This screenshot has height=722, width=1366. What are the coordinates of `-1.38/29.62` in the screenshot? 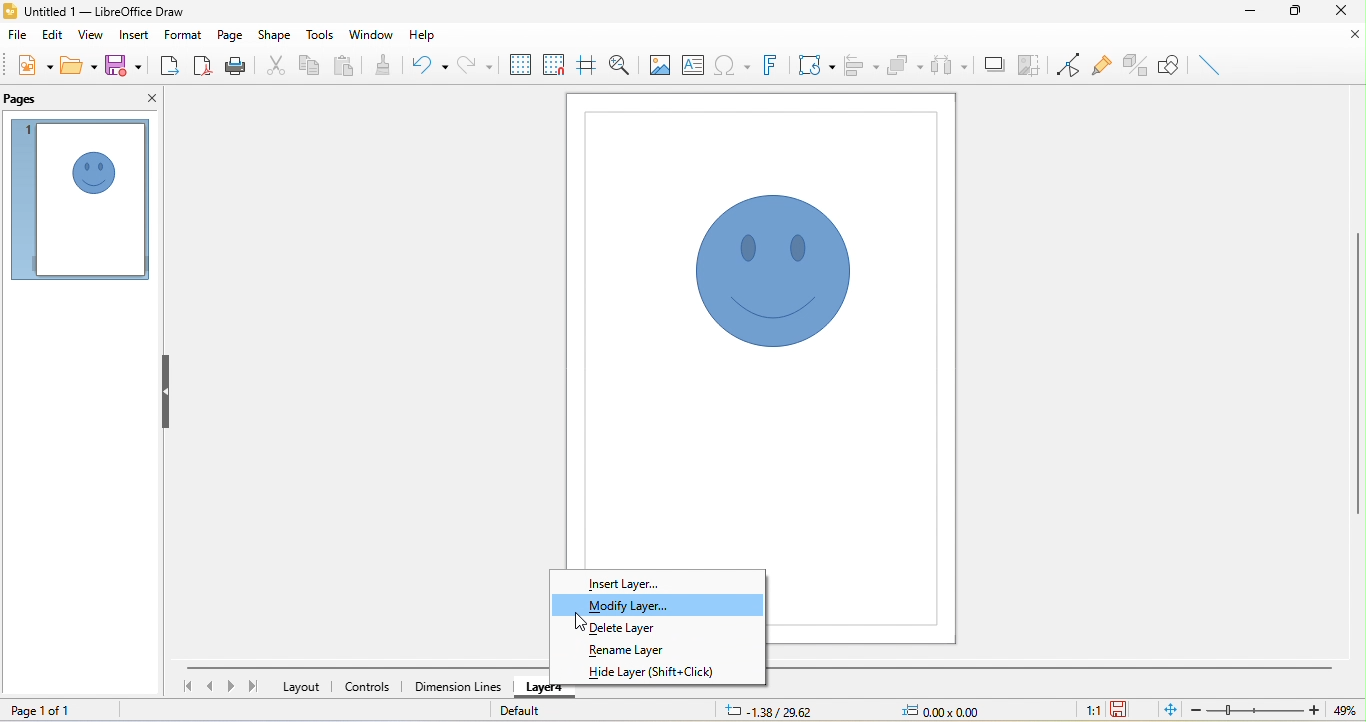 It's located at (779, 710).